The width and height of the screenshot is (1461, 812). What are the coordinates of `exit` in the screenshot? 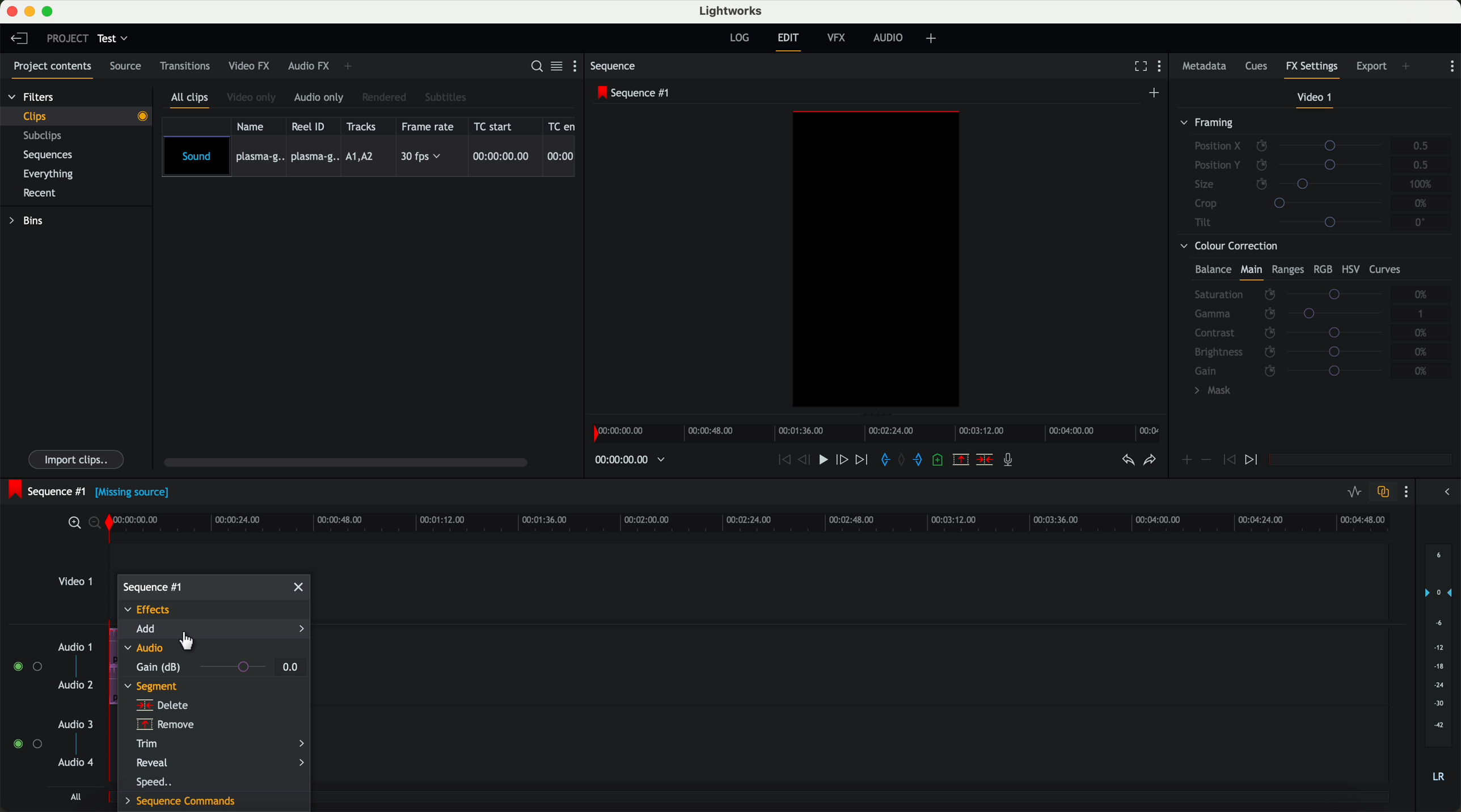 It's located at (788, 42).